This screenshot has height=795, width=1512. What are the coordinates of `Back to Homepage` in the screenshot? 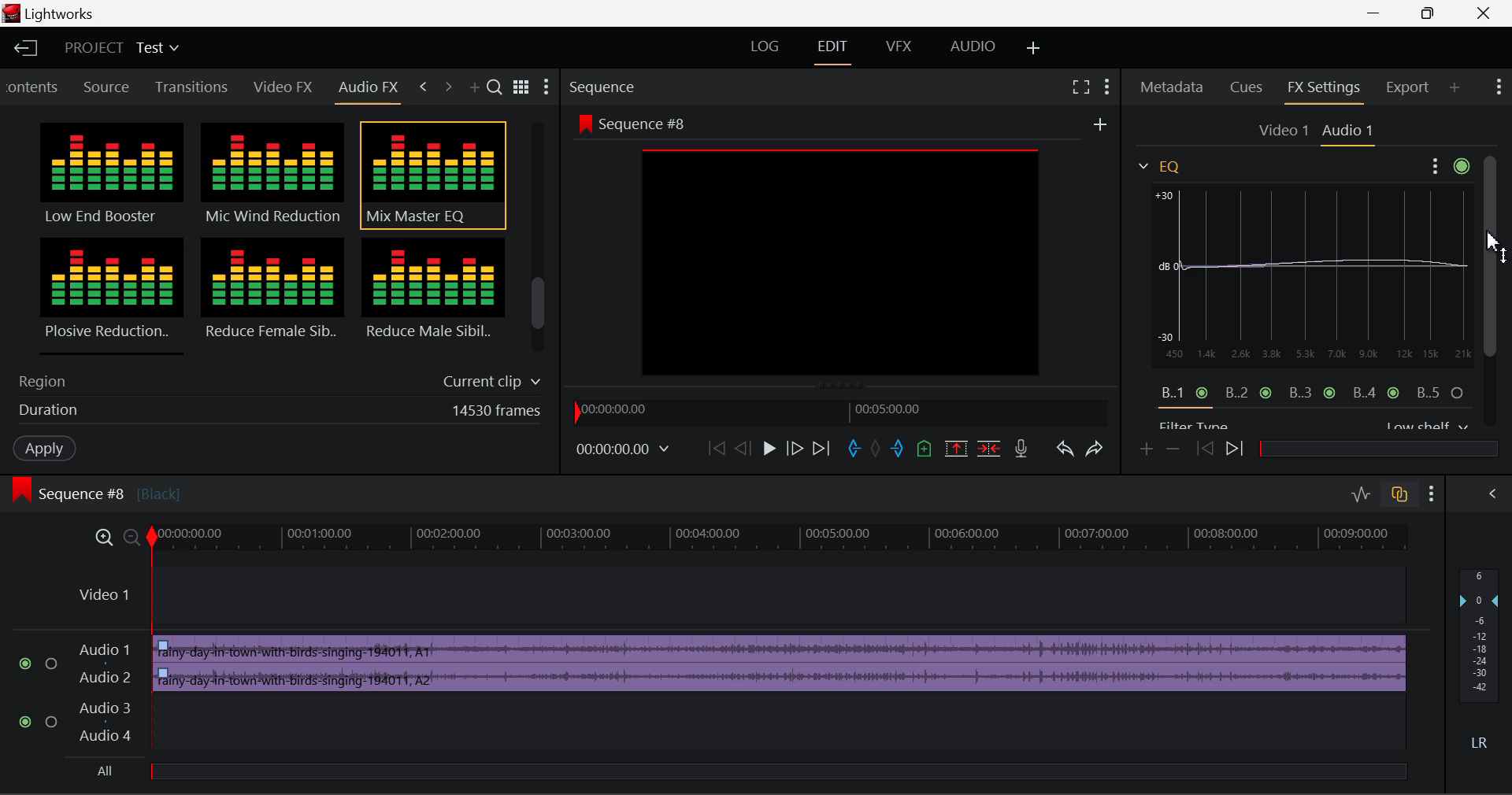 It's located at (24, 48).